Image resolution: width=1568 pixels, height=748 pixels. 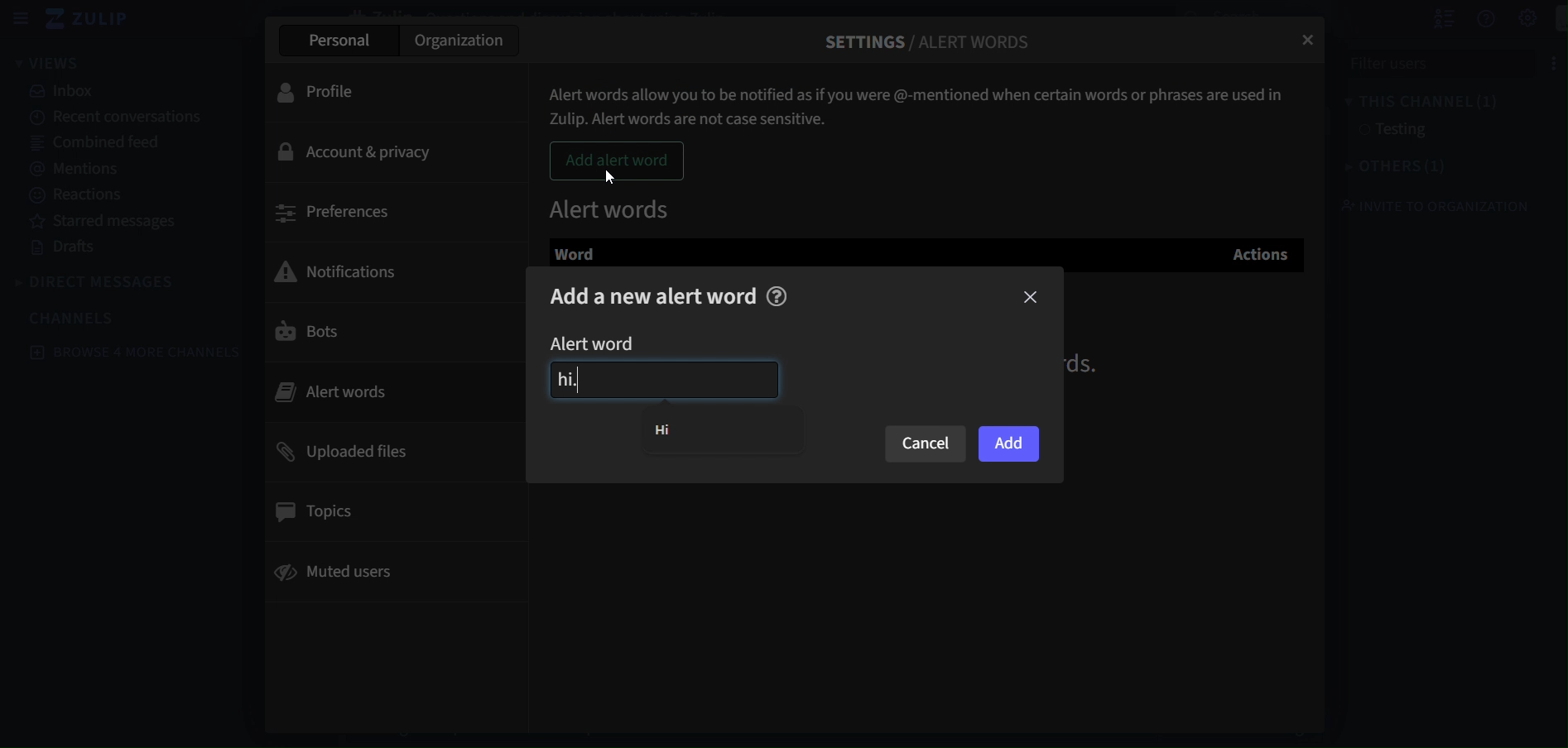 What do you see at coordinates (100, 280) in the screenshot?
I see `direct messages` at bounding box center [100, 280].